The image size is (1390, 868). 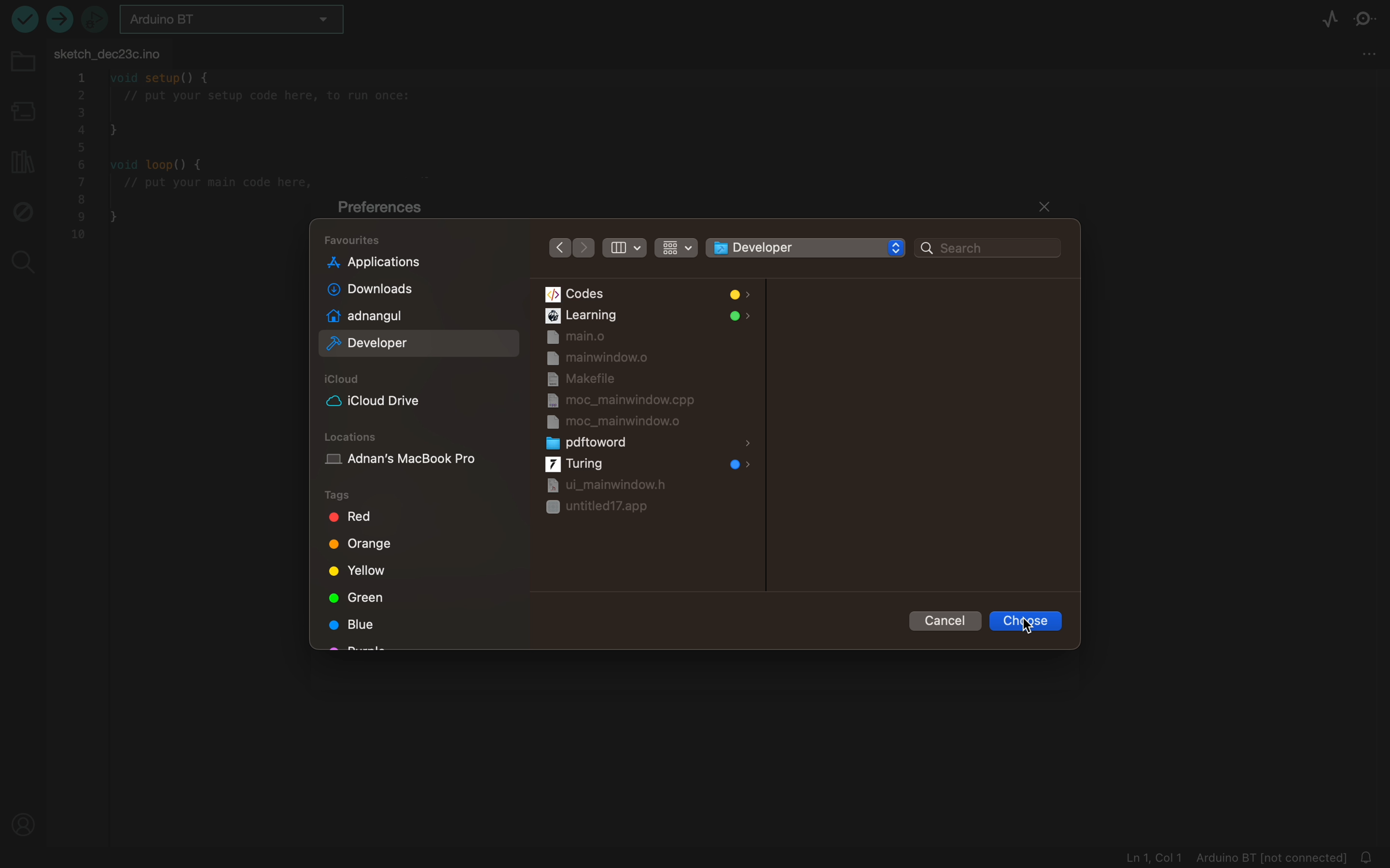 What do you see at coordinates (391, 208) in the screenshot?
I see `preferences` at bounding box center [391, 208].